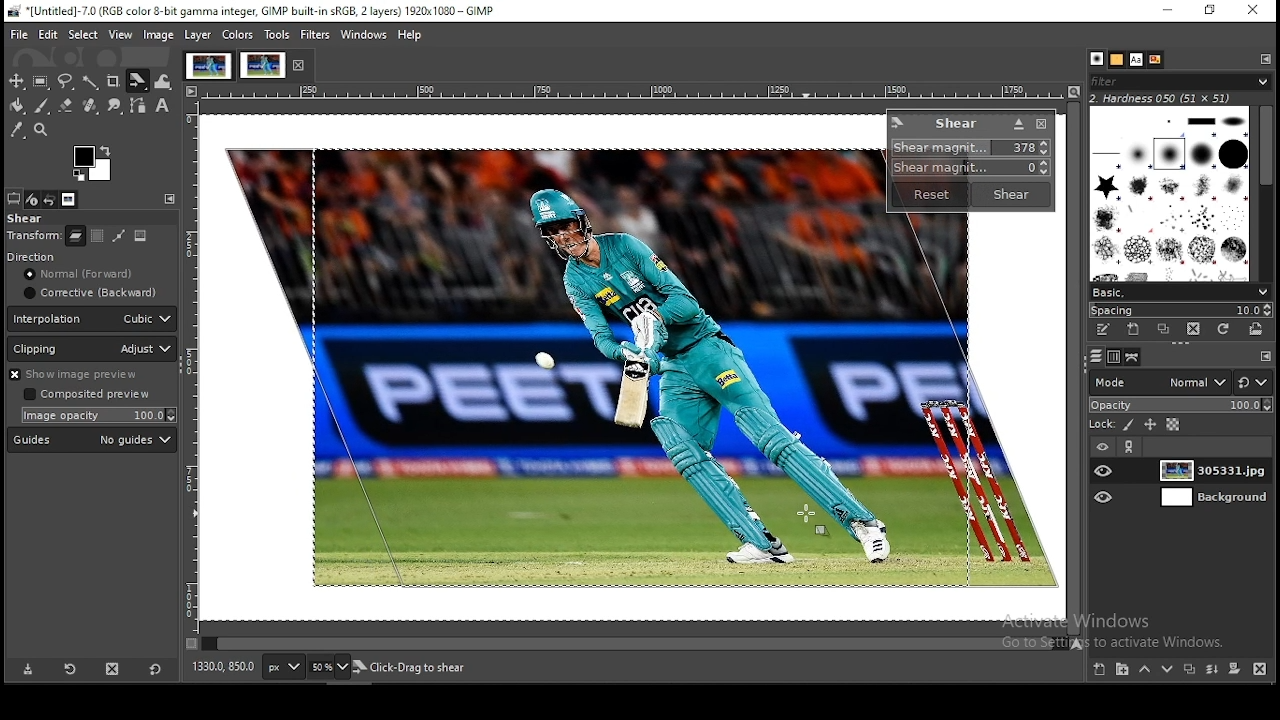 The image size is (1280, 720). I want to click on select, so click(83, 33).